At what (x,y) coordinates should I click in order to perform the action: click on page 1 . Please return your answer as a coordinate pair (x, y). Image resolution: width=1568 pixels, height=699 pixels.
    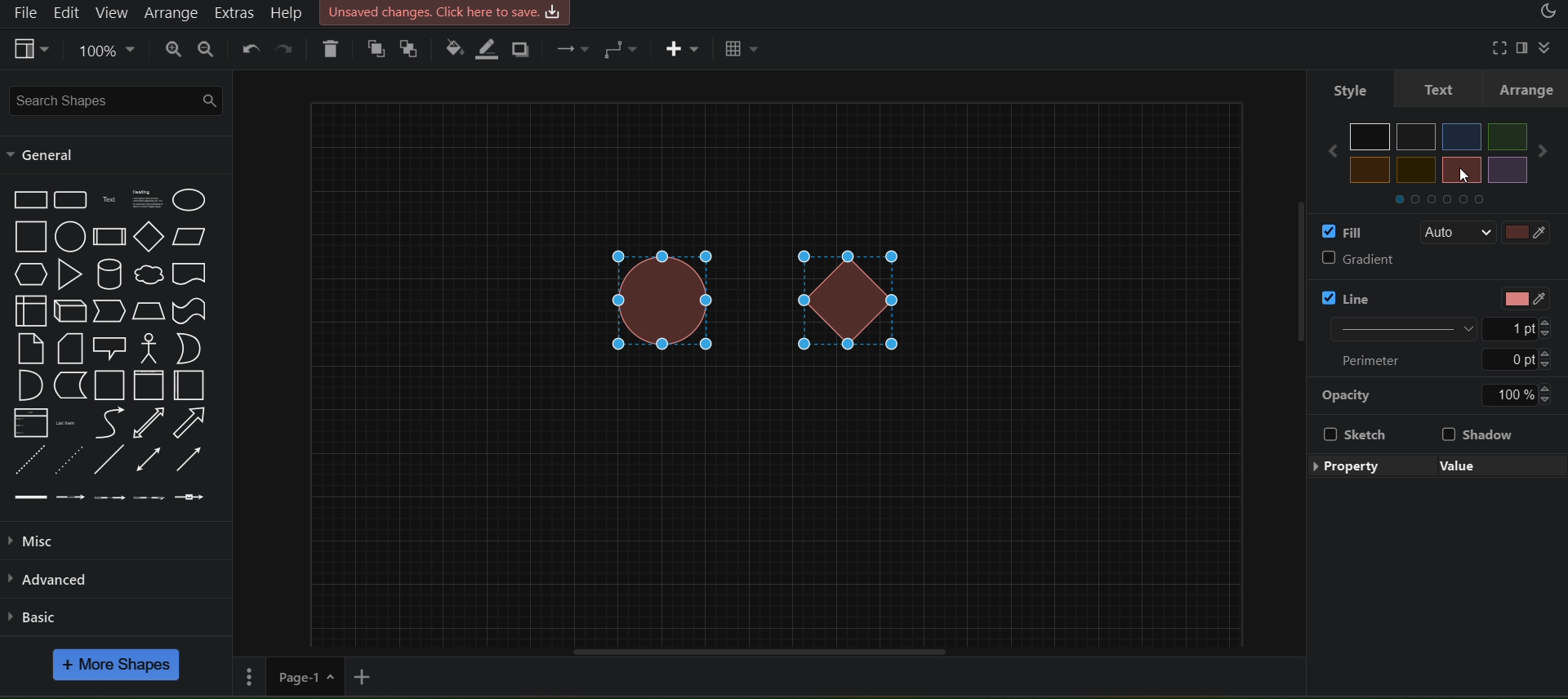
    Looking at the image, I should click on (287, 679).